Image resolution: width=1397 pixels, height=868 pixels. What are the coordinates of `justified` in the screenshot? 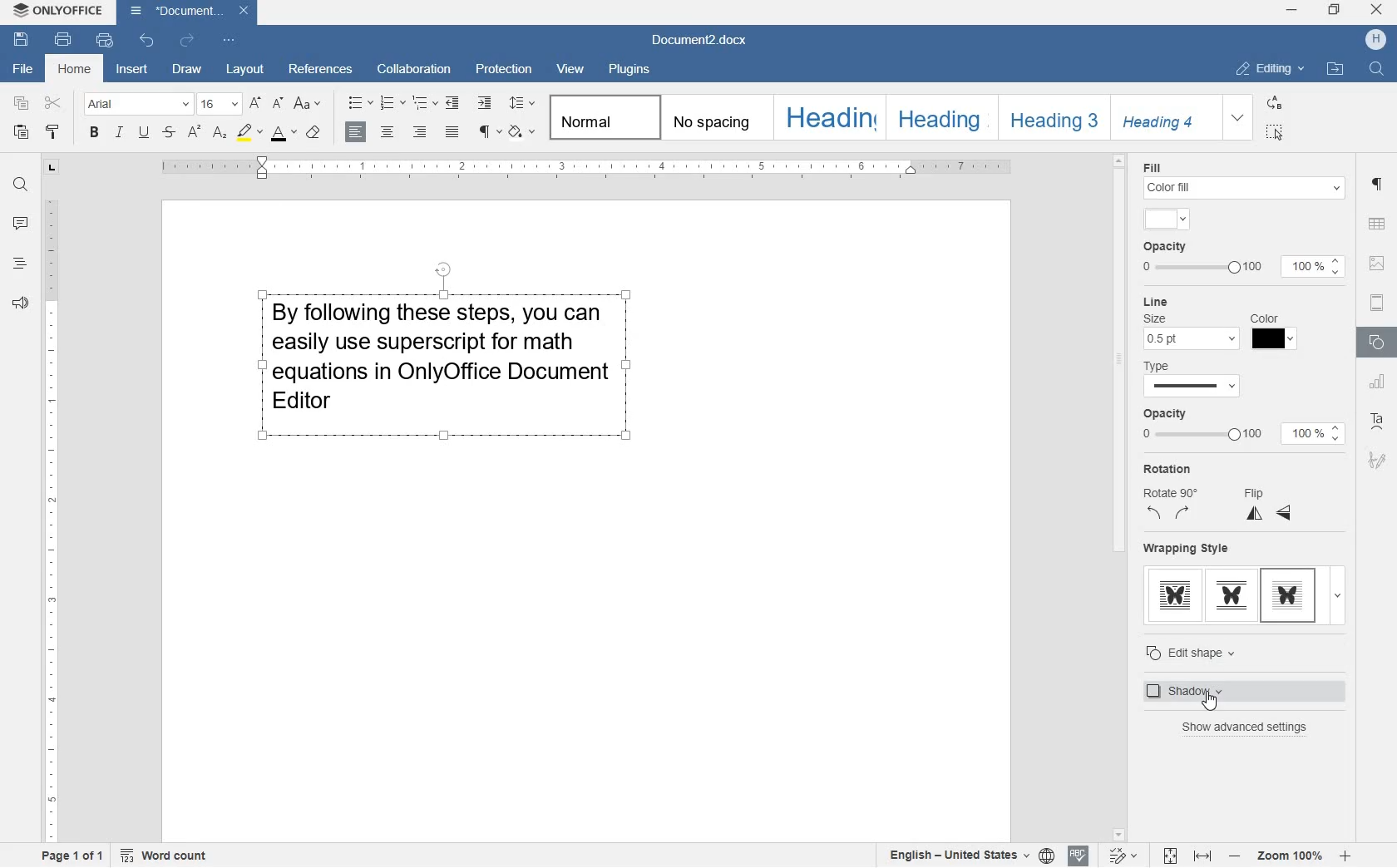 It's located at (455, 131).